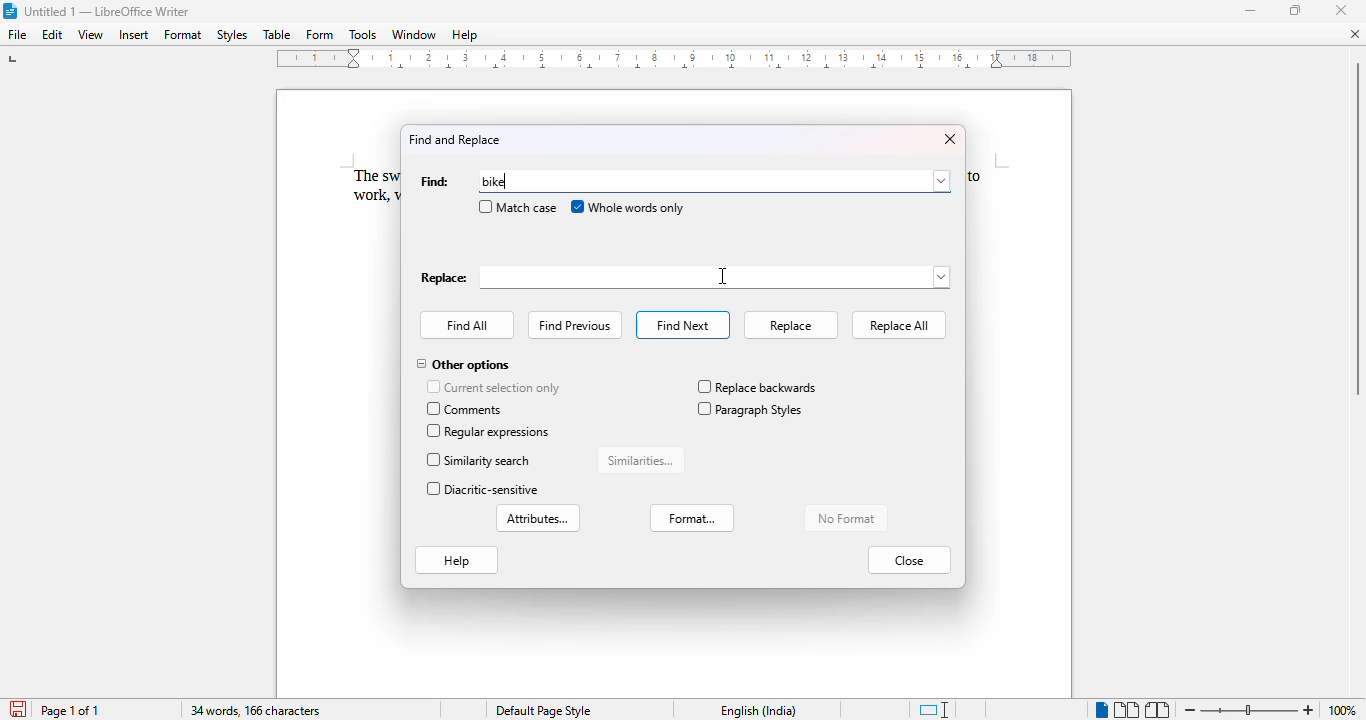 This screenshot has width=1366, height=720. Describe the element at coordinates (897, 326) in the screenshot. I see `replace all` at that location.